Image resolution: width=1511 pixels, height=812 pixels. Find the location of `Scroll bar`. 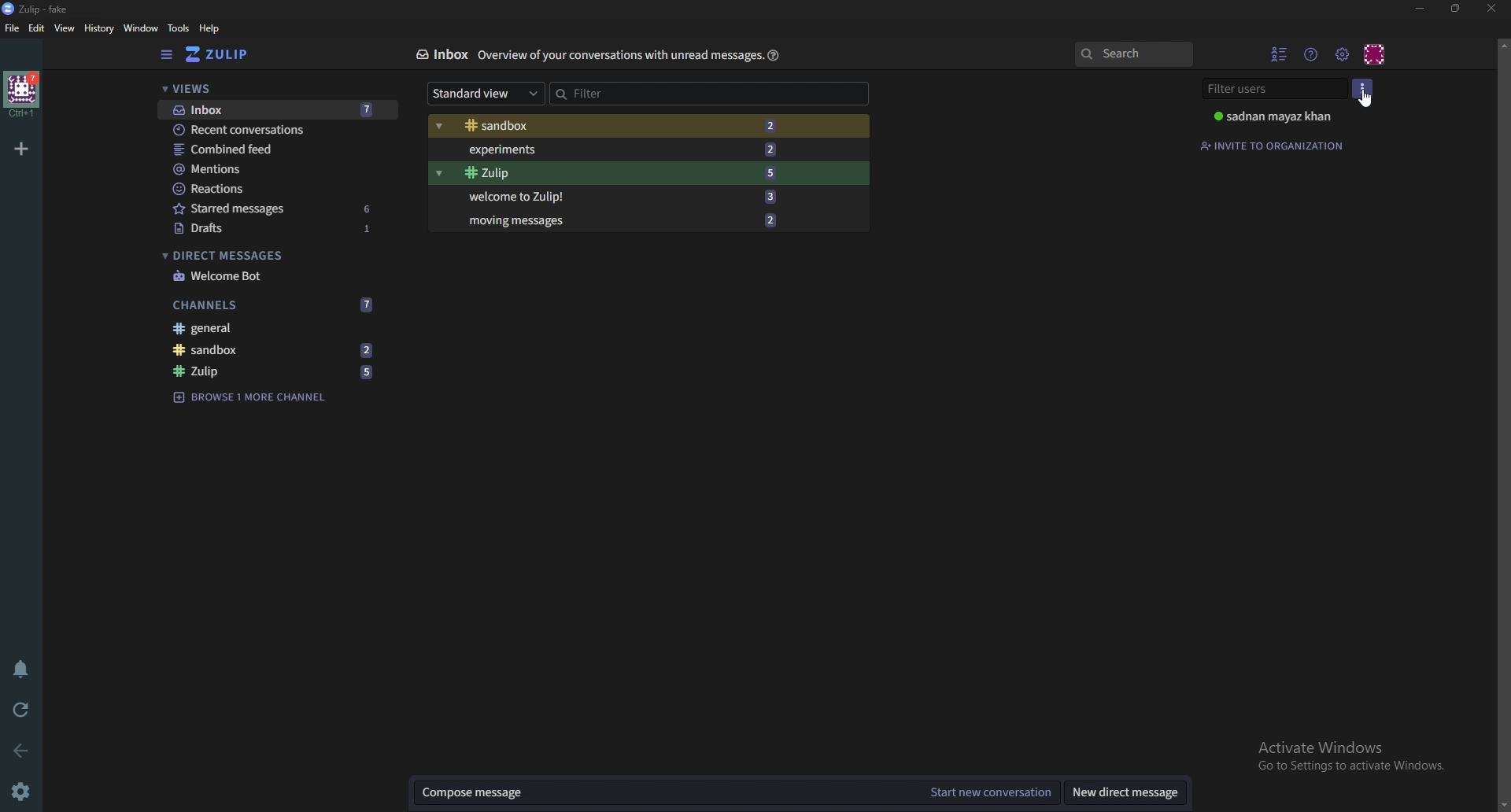

Scroll bar is located at coordinates (1500, 423).